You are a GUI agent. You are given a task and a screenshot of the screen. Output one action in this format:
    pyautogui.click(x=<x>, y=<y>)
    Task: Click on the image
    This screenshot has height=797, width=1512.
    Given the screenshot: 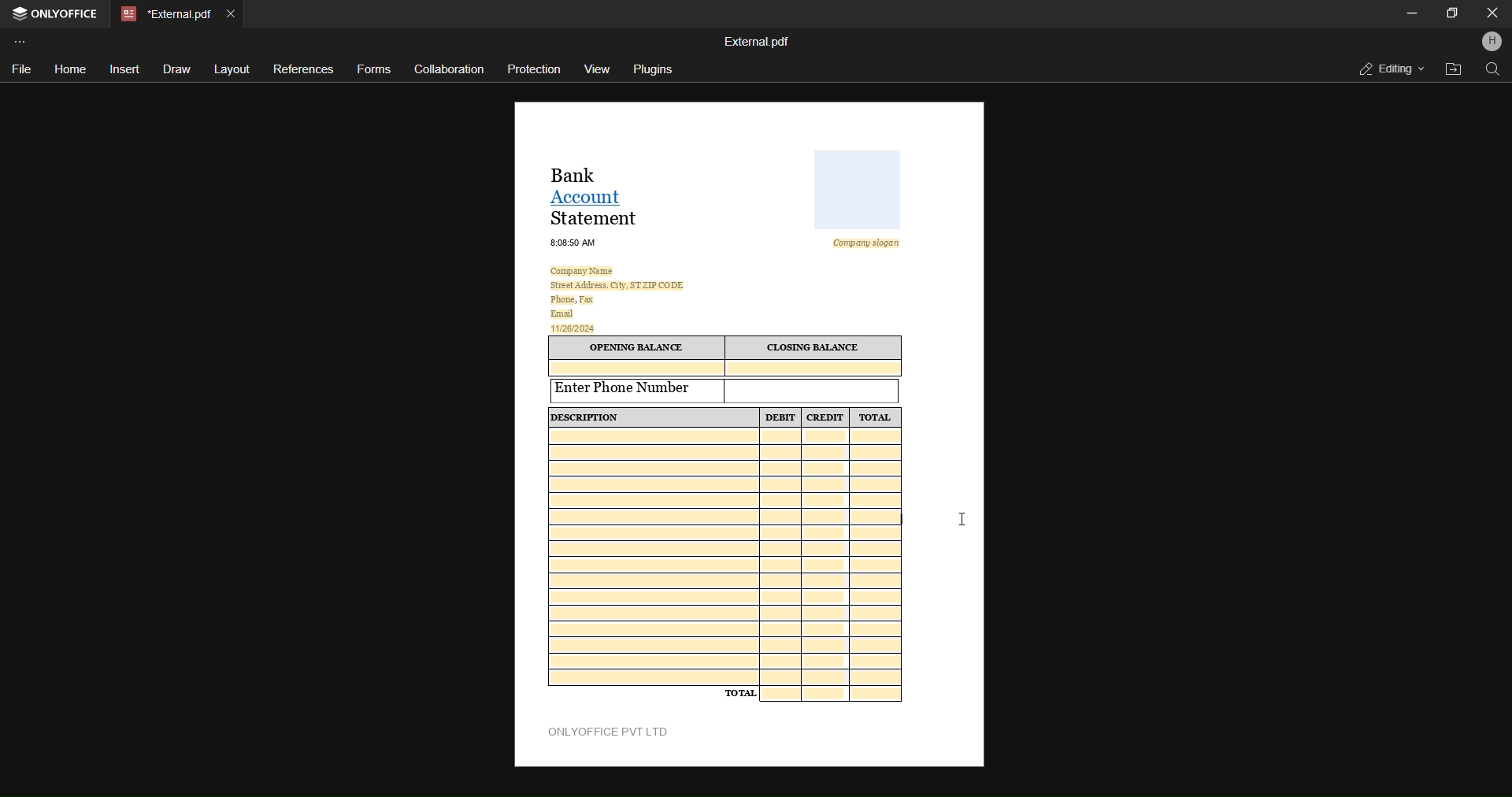 What is the action you would take?
    pyautogui.click(x=859, y=190)
    